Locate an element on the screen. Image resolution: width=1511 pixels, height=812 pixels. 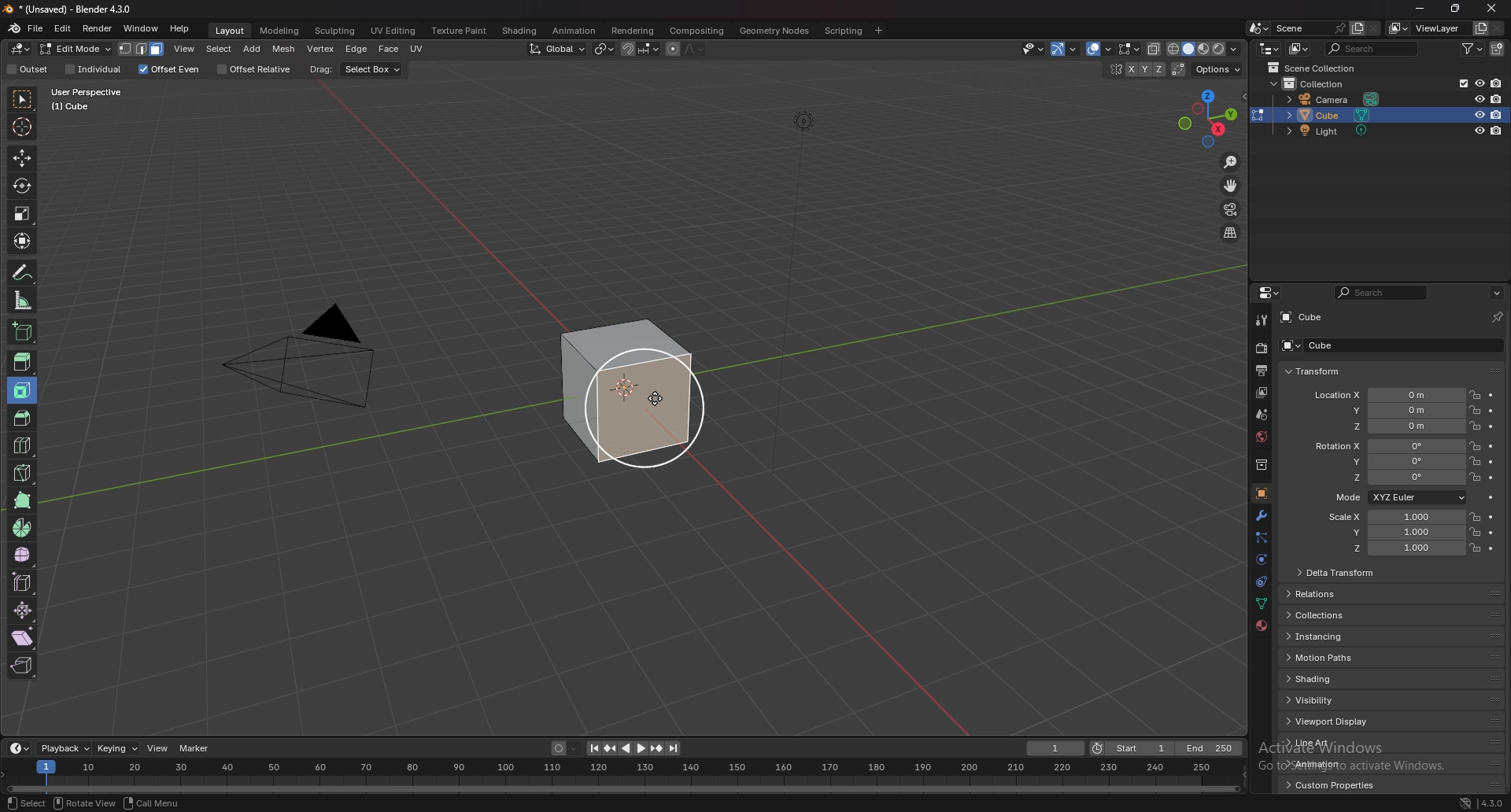
editor type is located at coordinates (1269, 293).